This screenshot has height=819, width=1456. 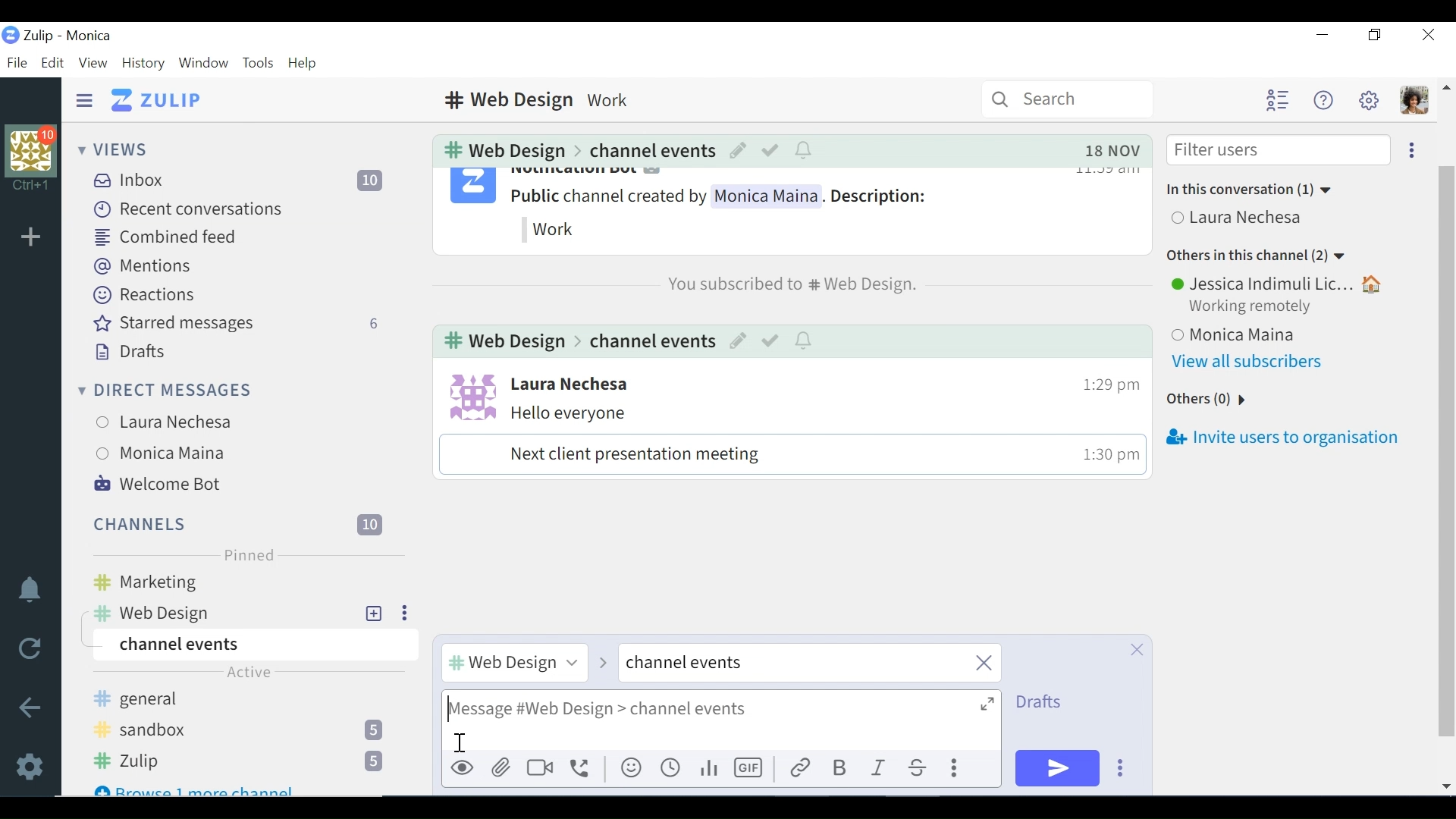 I want to click on web design Channel, so click(x=500, y=150).